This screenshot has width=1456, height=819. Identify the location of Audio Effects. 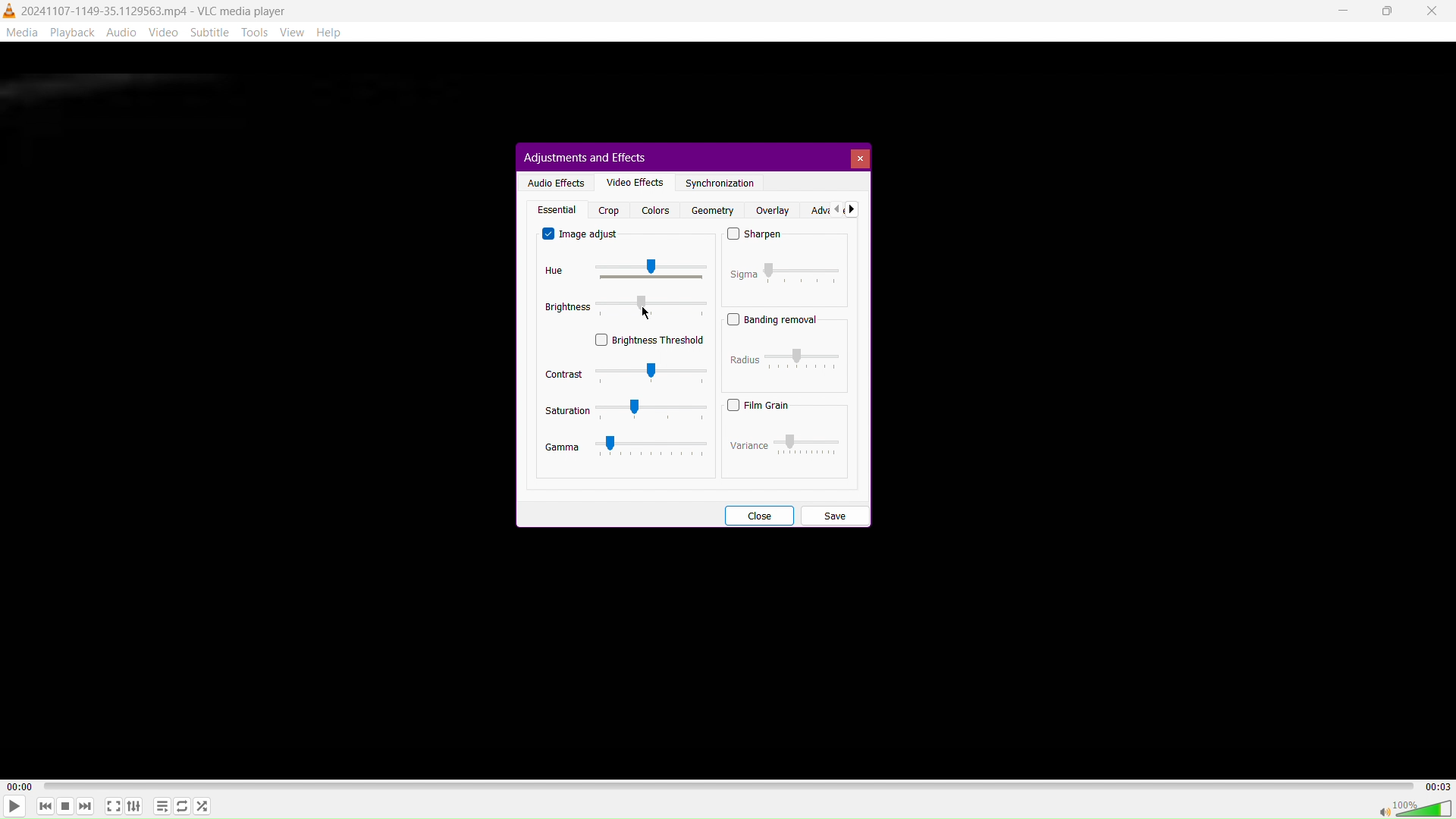
(554, 181).